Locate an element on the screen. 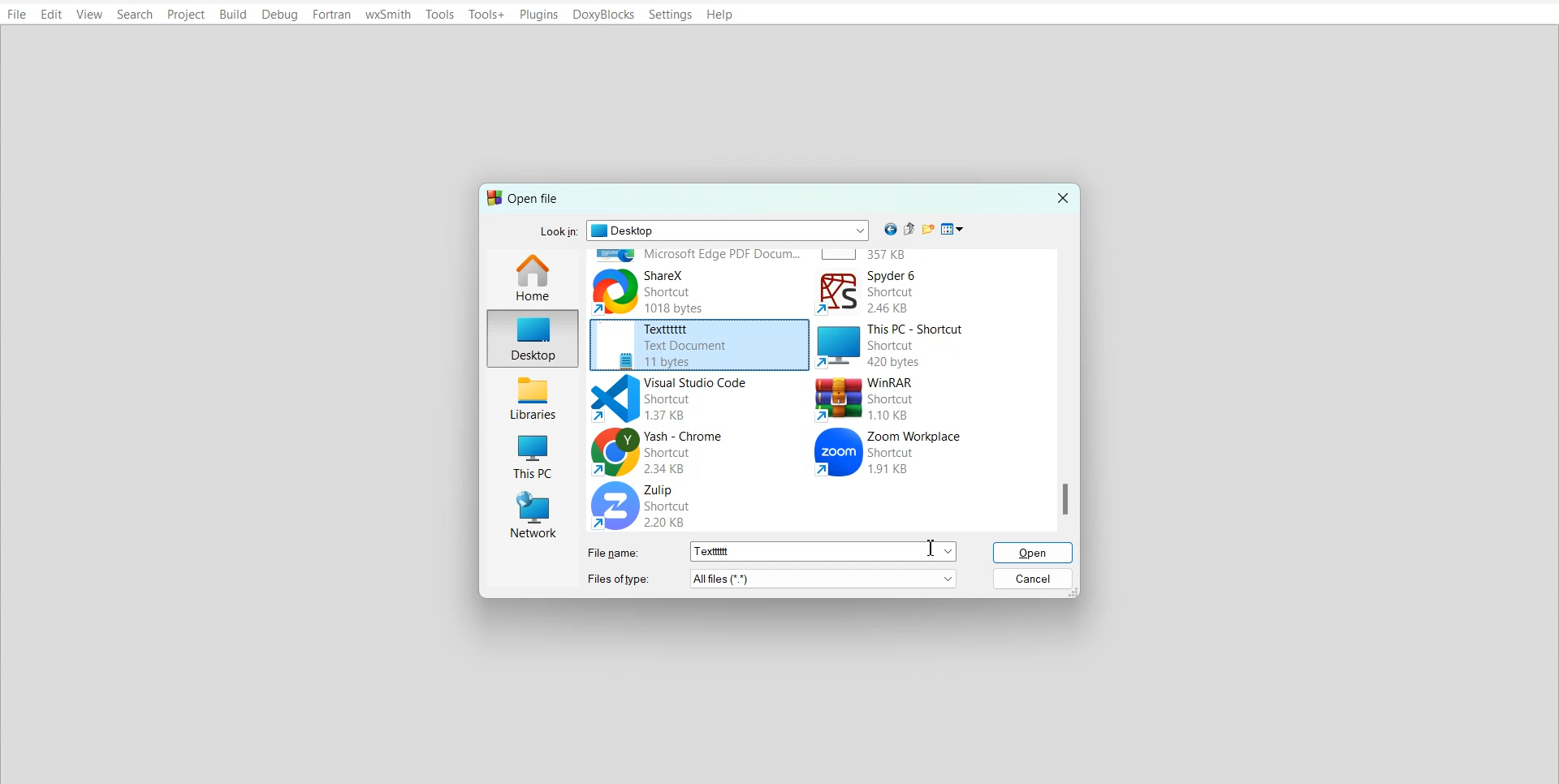 This screenshot has width=1559, height=784. Project is located at coordinates (185, 15).